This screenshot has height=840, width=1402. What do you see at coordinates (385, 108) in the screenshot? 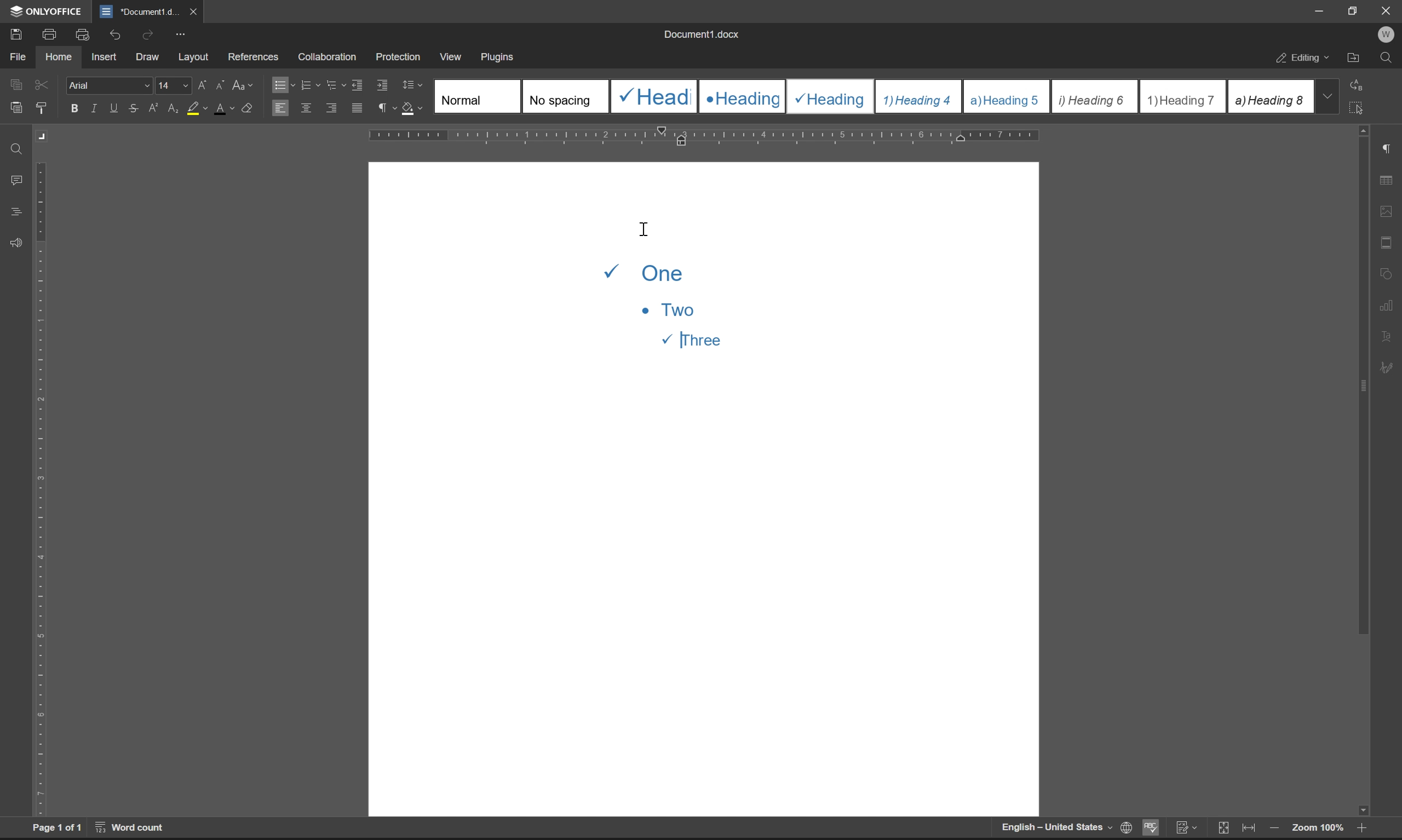
I see `paragraph` at bounding box center [385, 108].